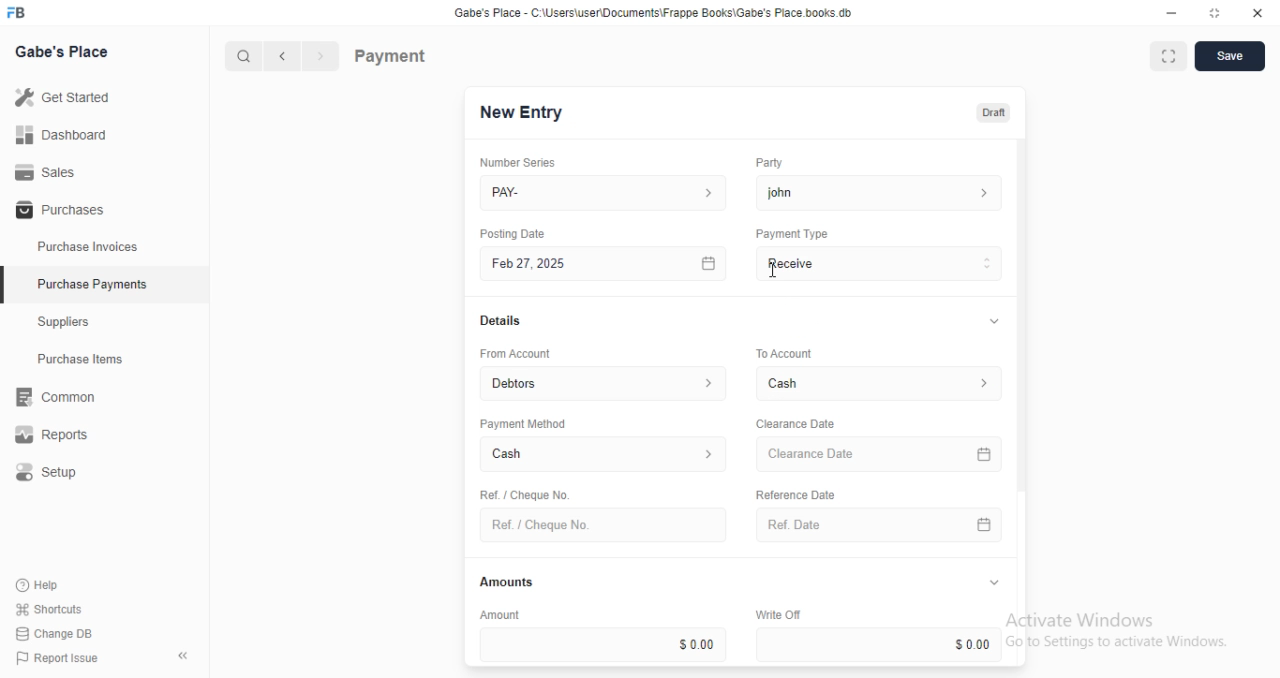  I want to click on New Entry, so click(522, 113).